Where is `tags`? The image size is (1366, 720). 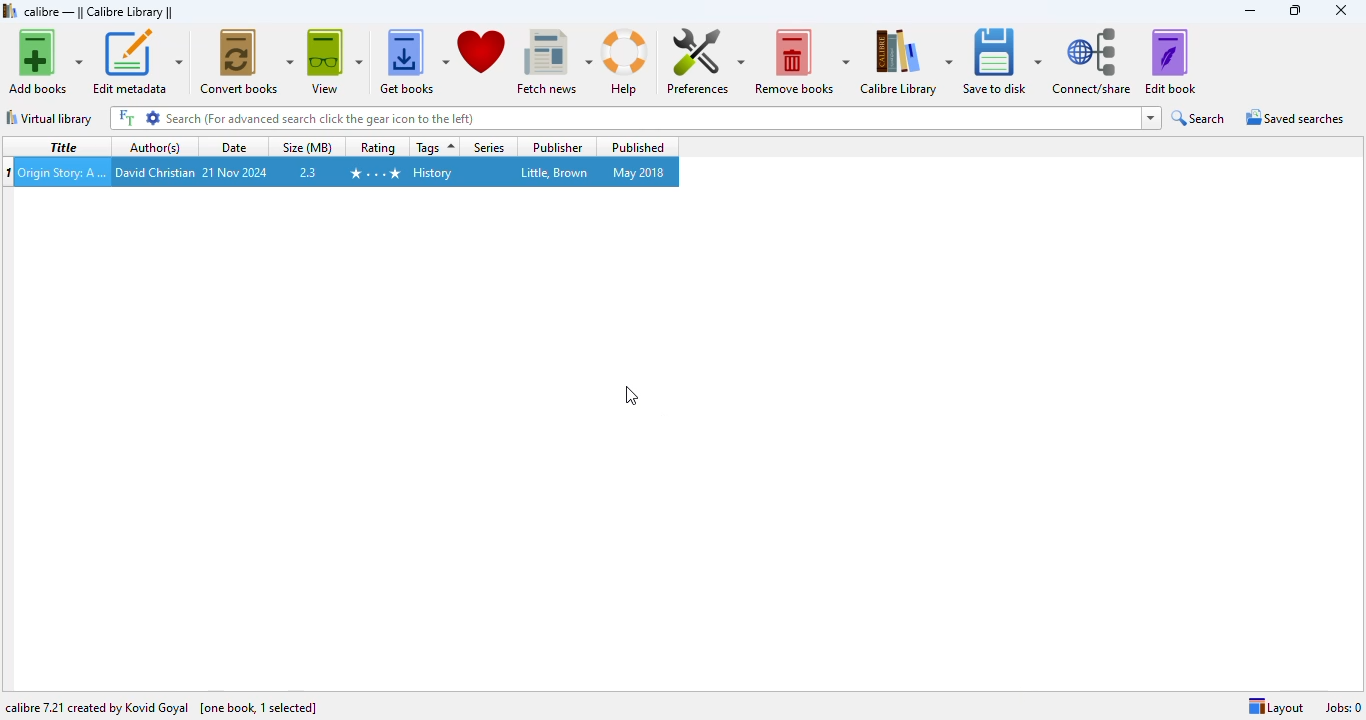
tags is located at coordinates (435, 147).